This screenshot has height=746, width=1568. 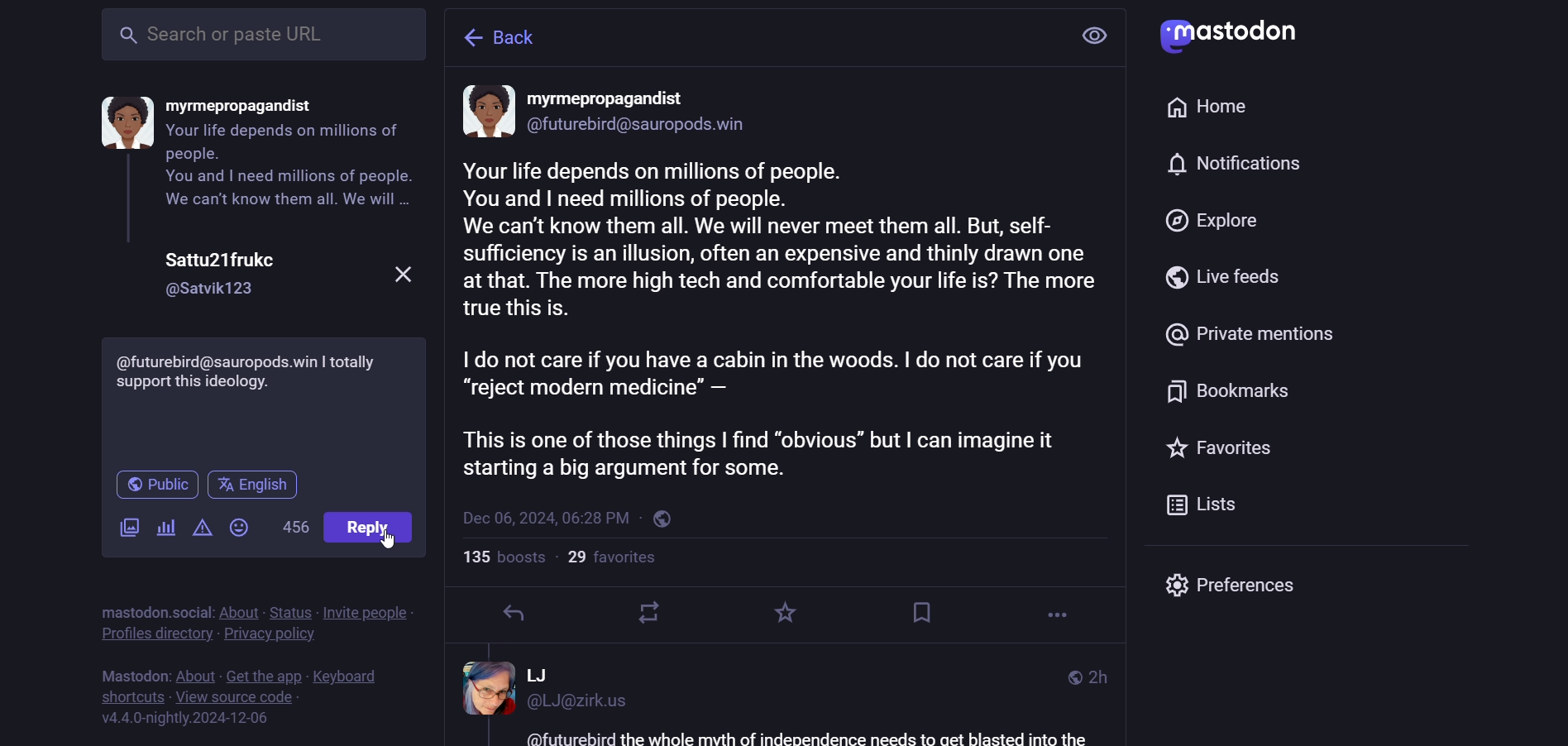 I want to click on id, so click(x=642, y=127).